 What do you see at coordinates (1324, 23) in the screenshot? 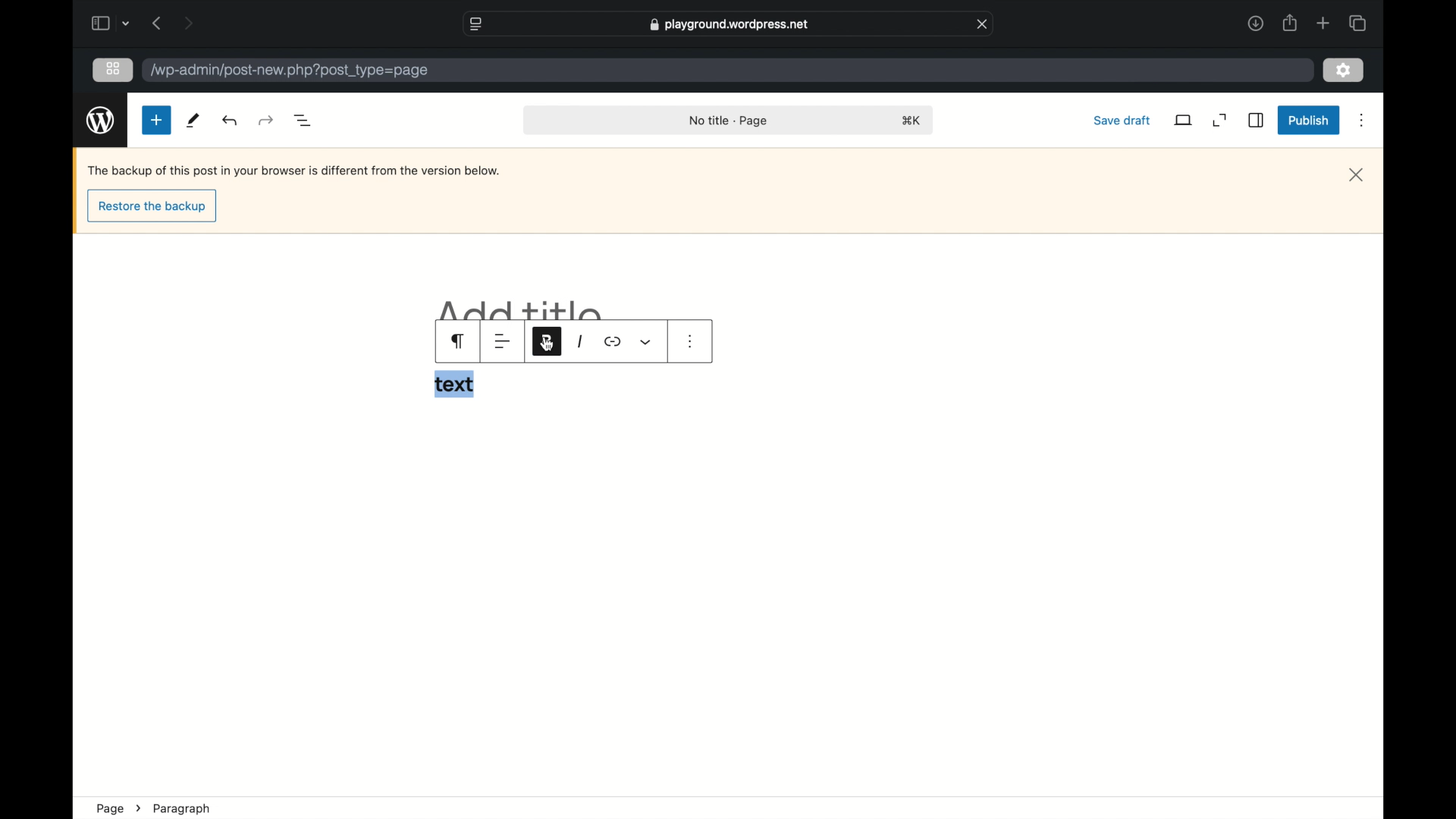
I see `new tab` at bounding box center [1324, 23].